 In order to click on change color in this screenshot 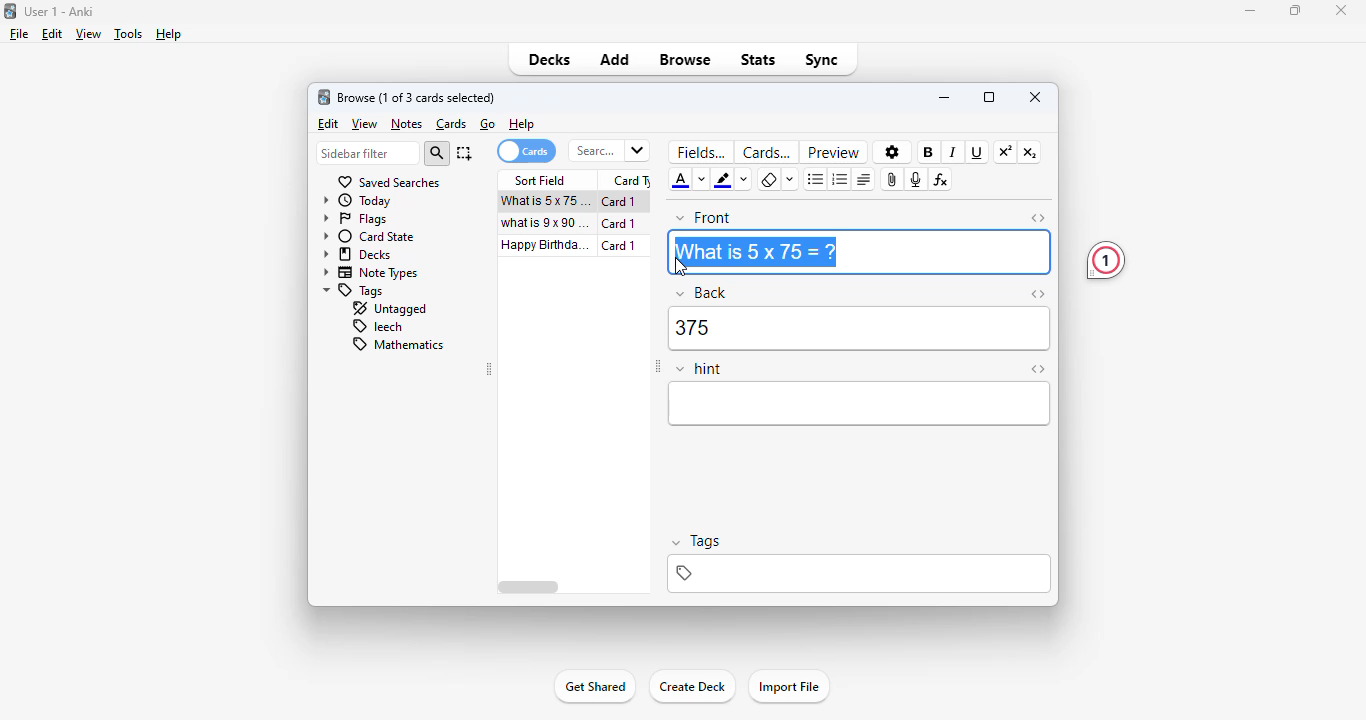, I will do `click(744, 181)`.